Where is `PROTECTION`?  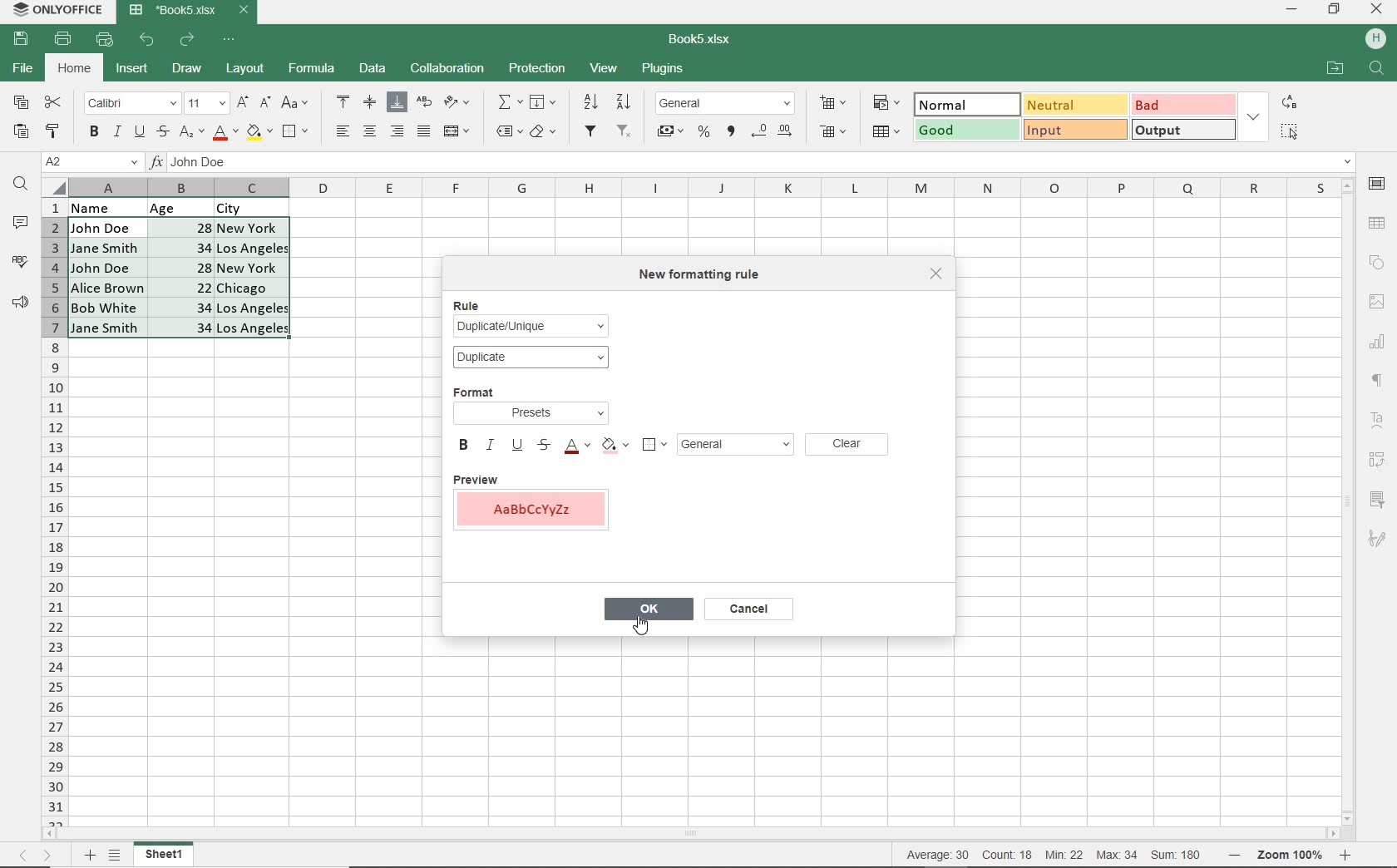 PROTECTION is located at coordinates (537, 68).